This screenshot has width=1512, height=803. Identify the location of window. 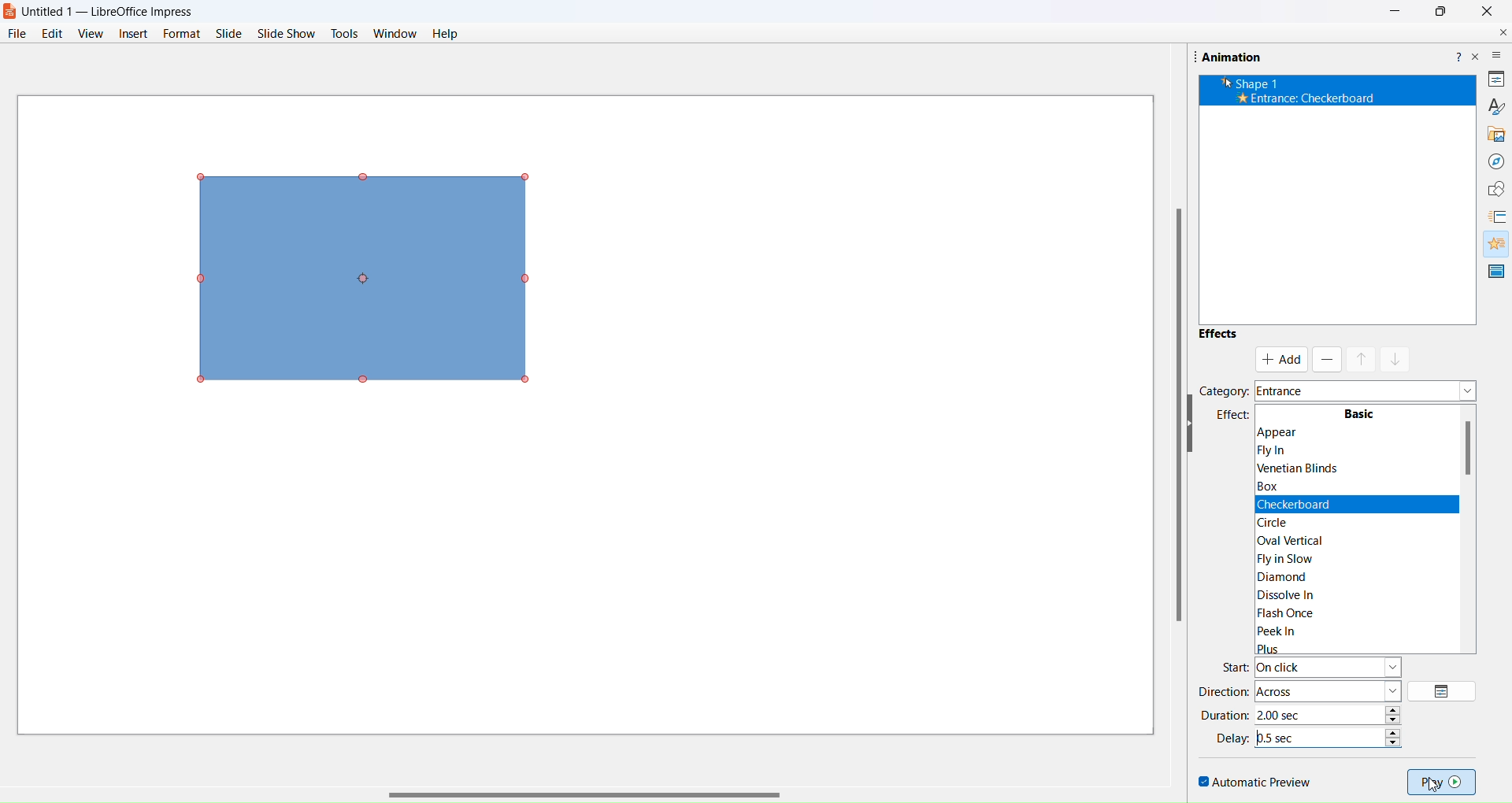
(396, 35).